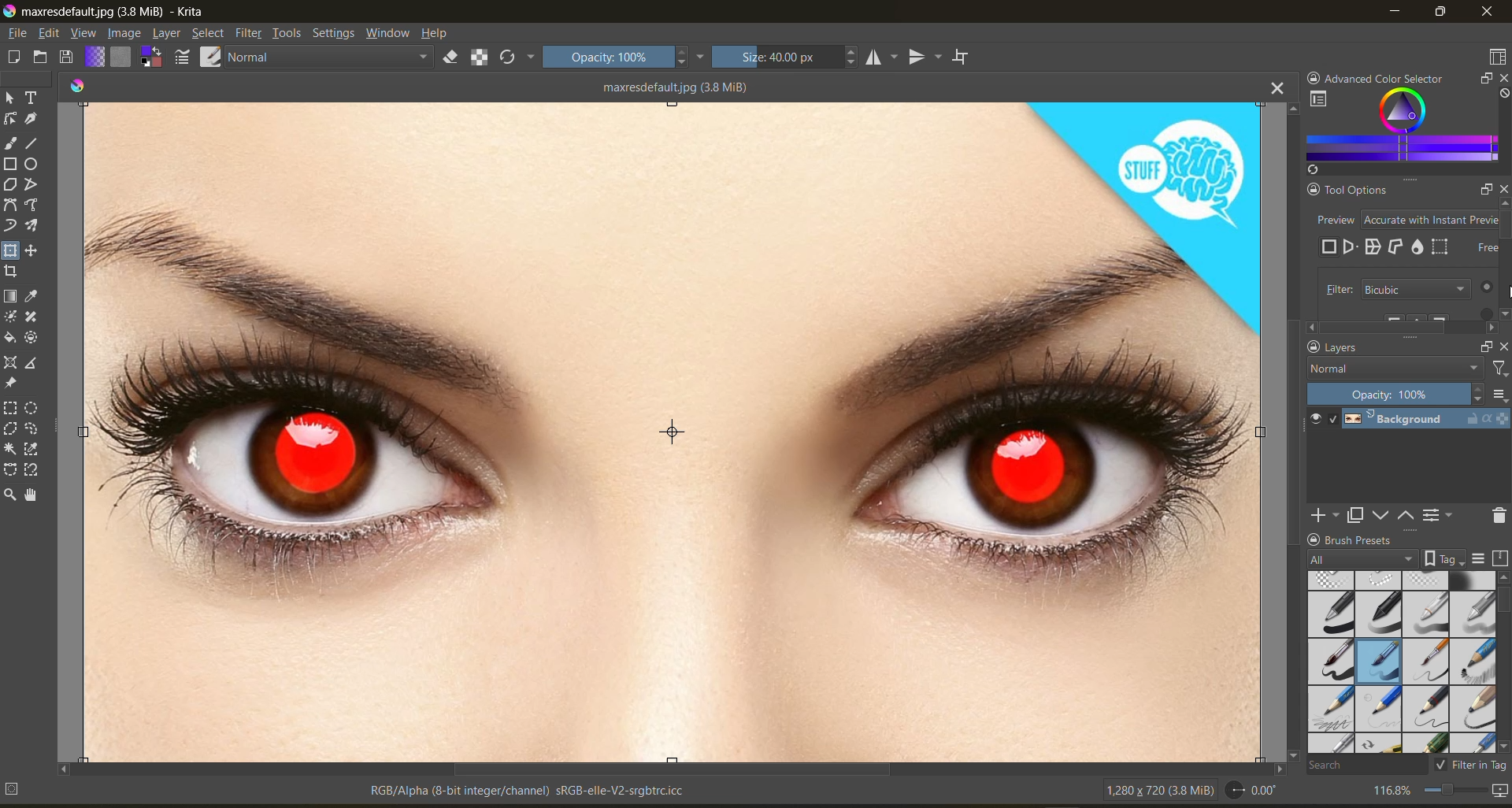 The width and height of the screenshot is (1512, 808). I want to click on rotate canvas, so click(1256, 793).